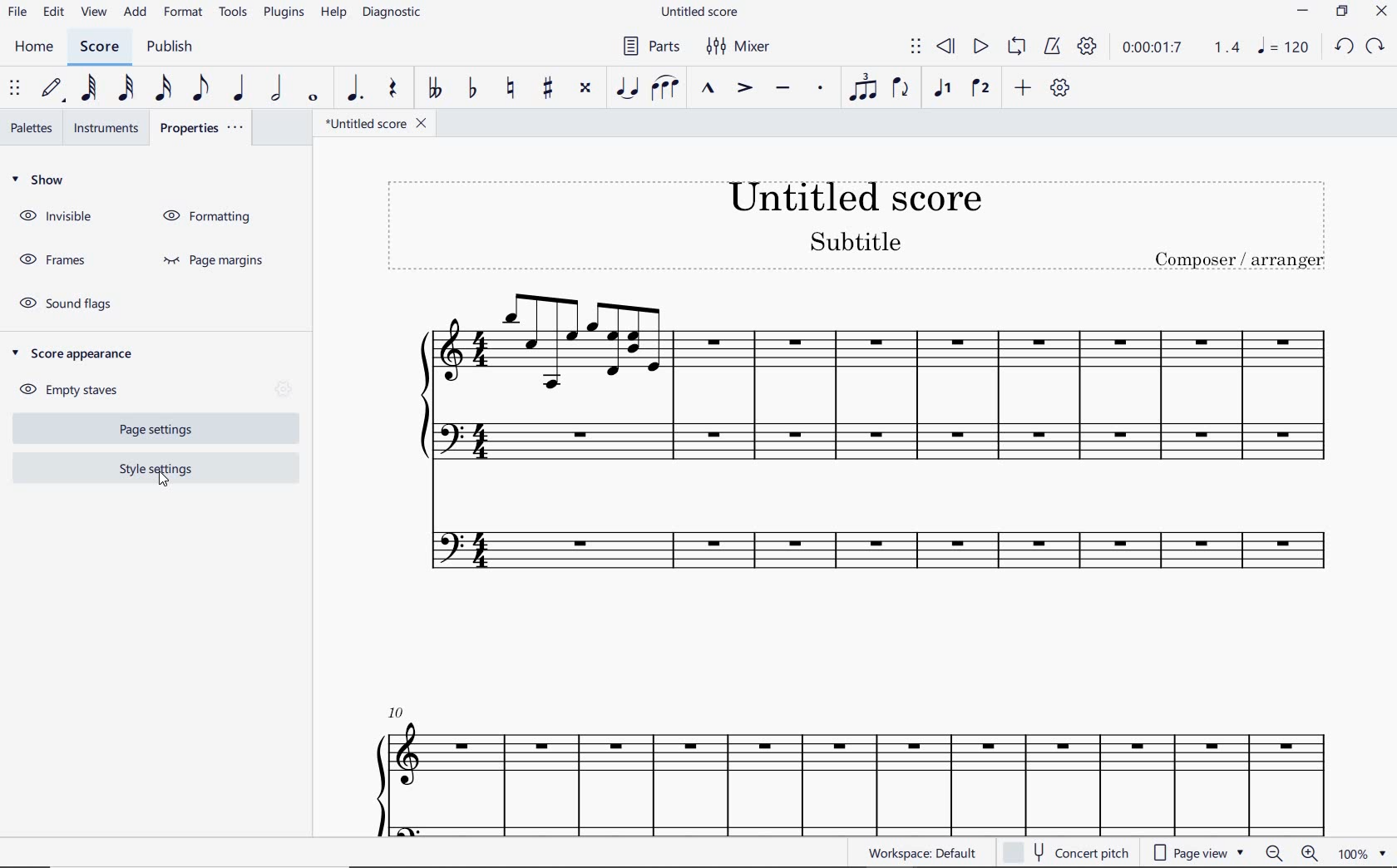  What do you see at coordinates (211, 217) in the screenshot?
I see `FORMATTING` at bounding box center [211, 217].